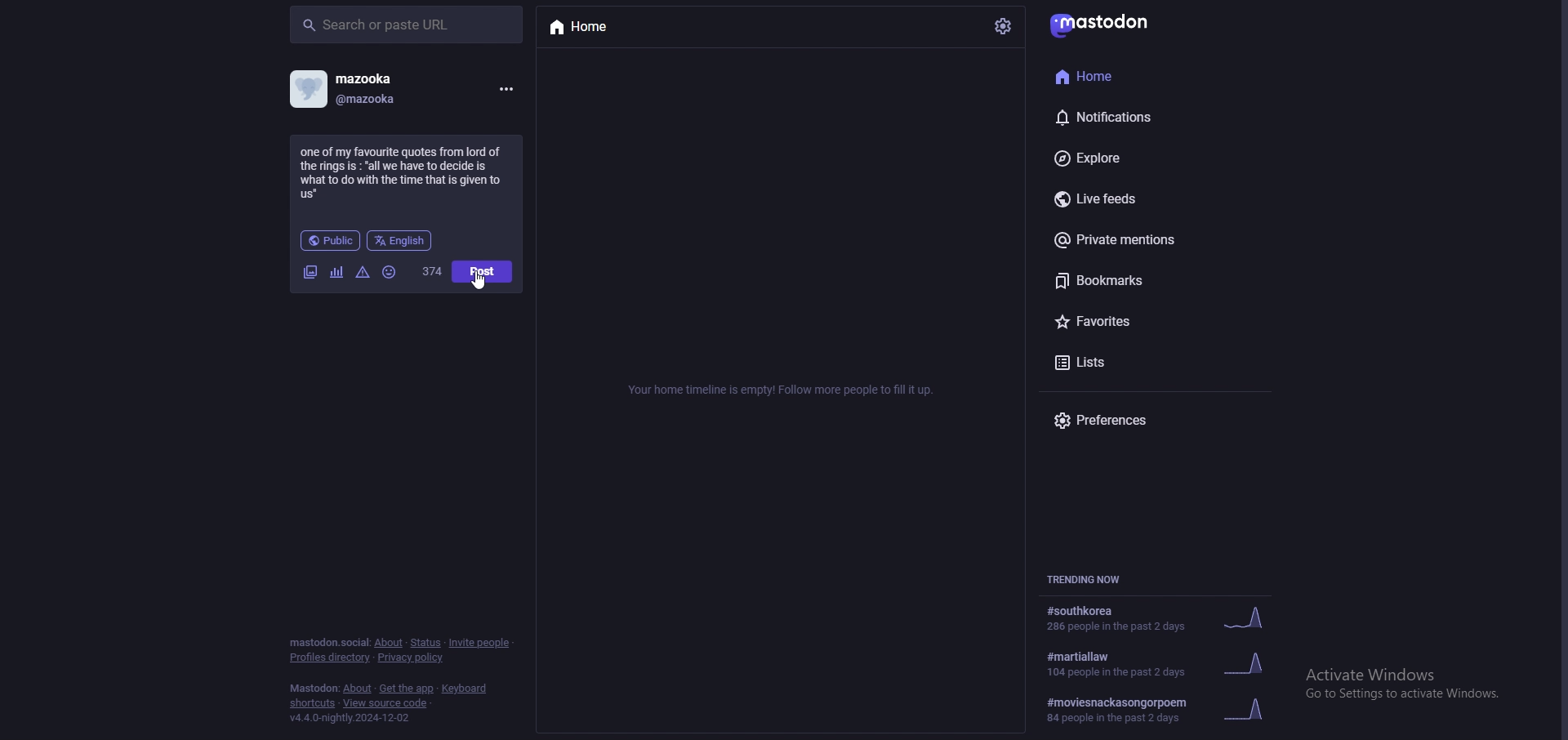  Describe the element at coordinates (358, 689) in the screenshot. I see `about` at that location.